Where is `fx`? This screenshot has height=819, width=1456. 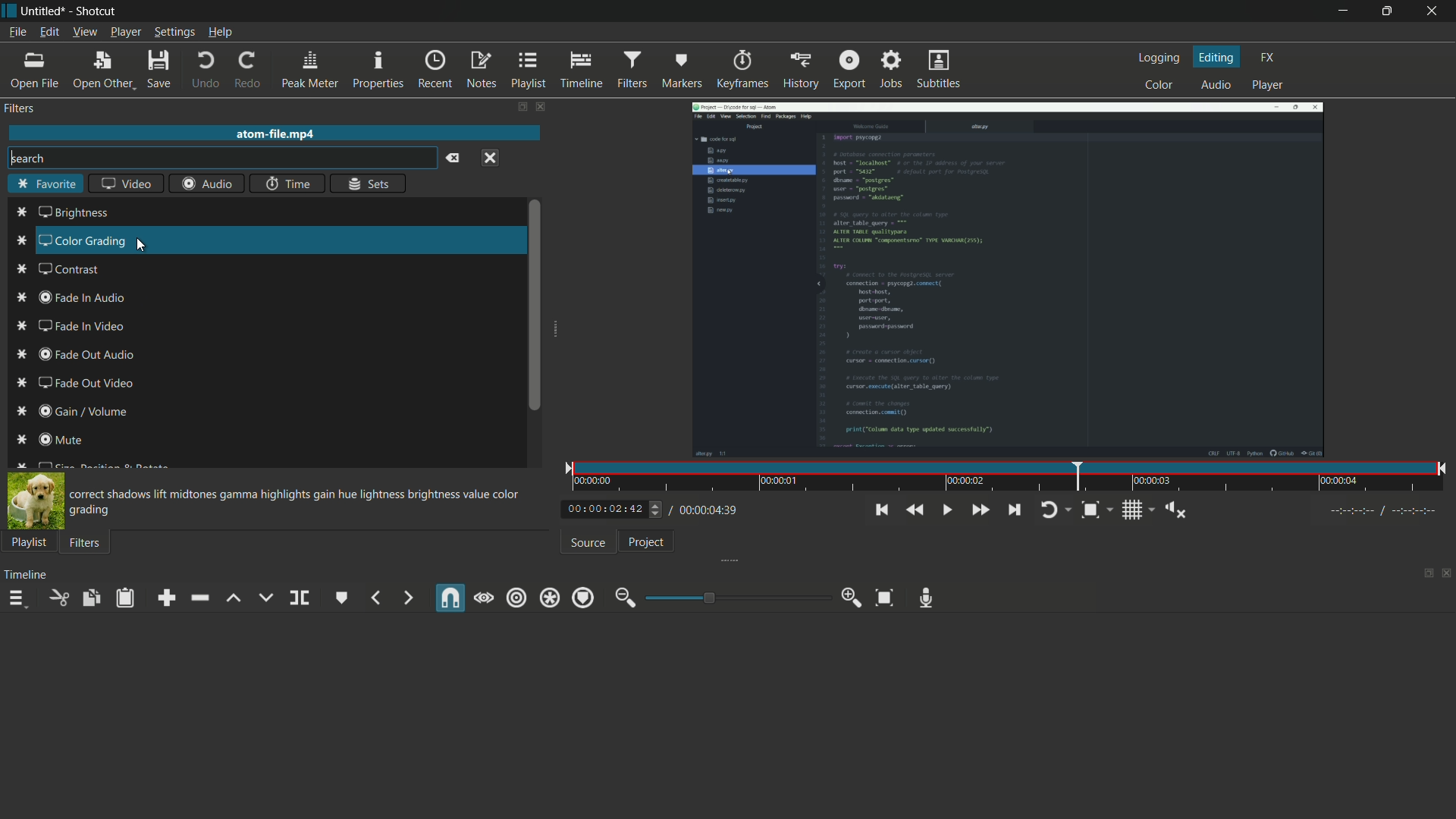
fx is located at coordinates (1269, 56).